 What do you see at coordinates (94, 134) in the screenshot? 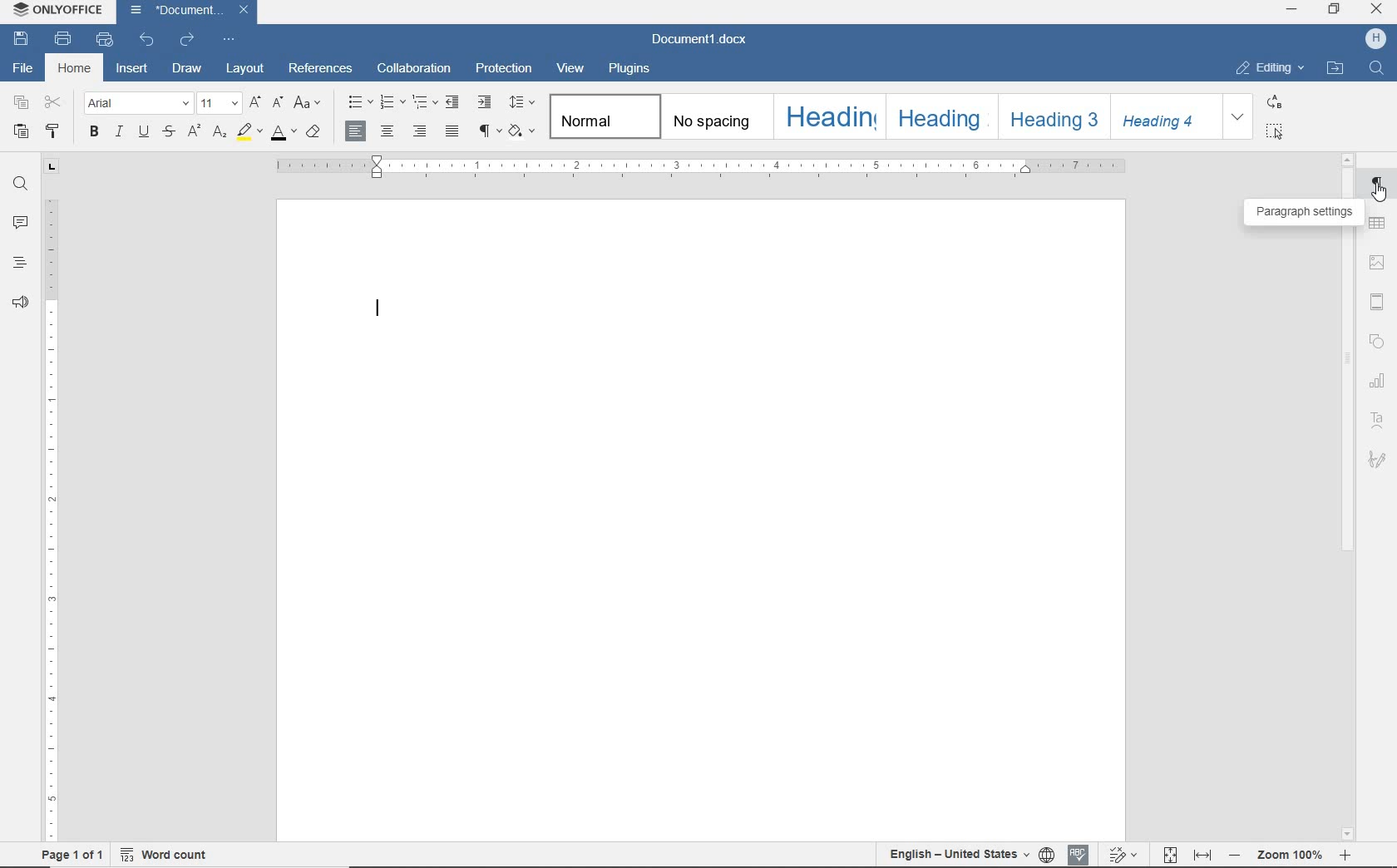
I see `bold` at bounding box center [94, 134].